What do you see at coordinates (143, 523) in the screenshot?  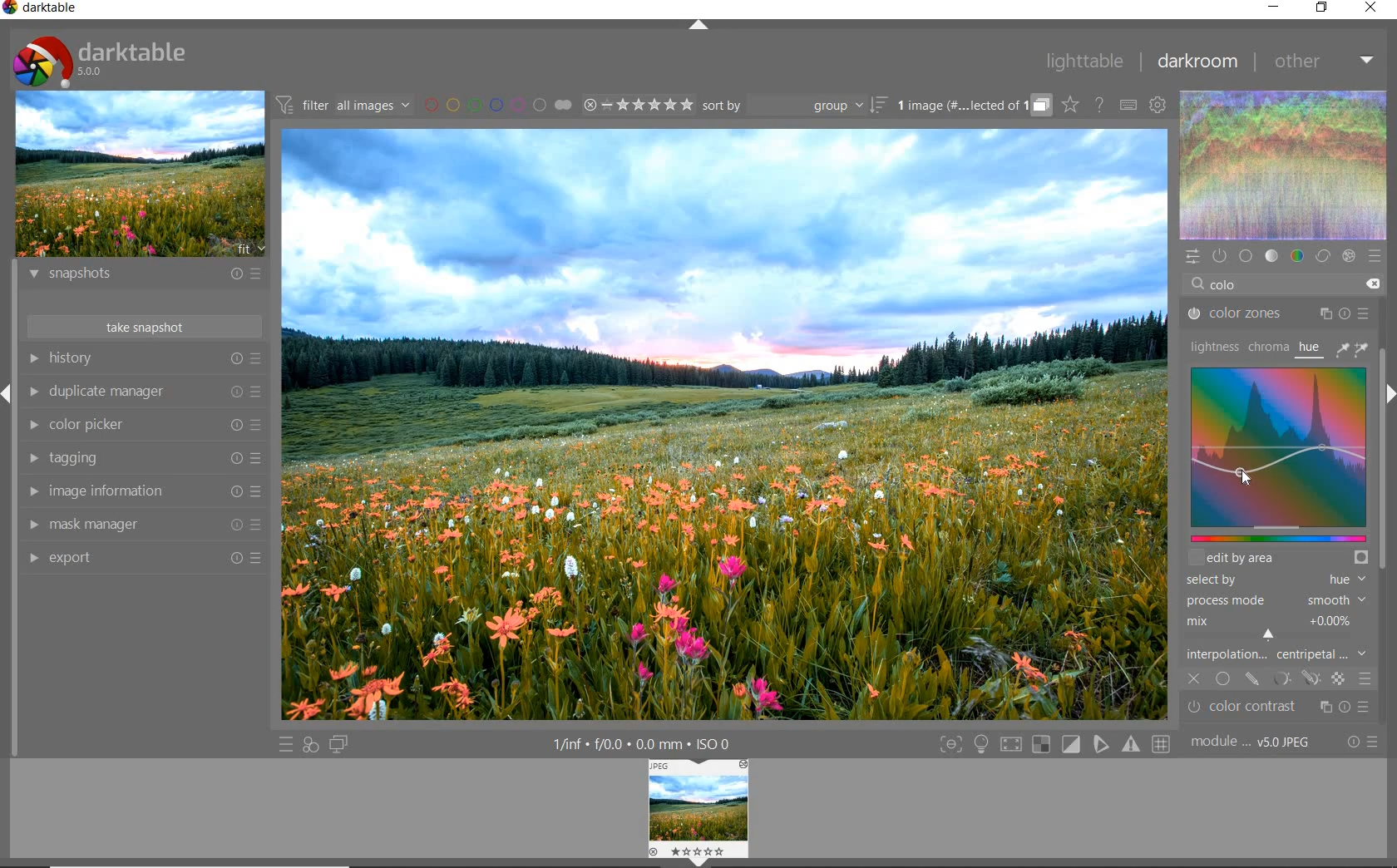 I see `mask manager` at bounding box center [143, 523].